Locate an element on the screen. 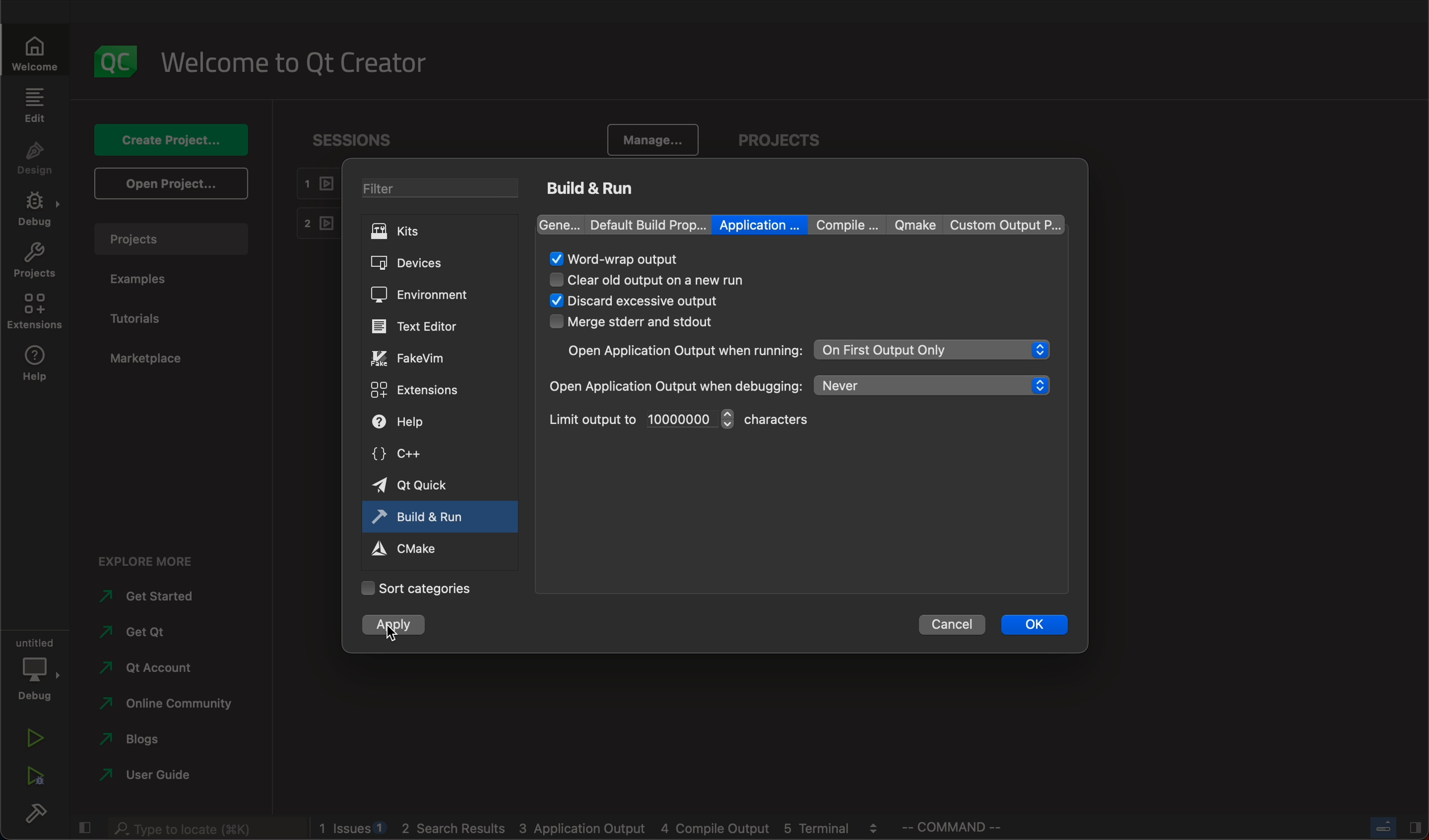  qmake is located at coordinates (911, 224).